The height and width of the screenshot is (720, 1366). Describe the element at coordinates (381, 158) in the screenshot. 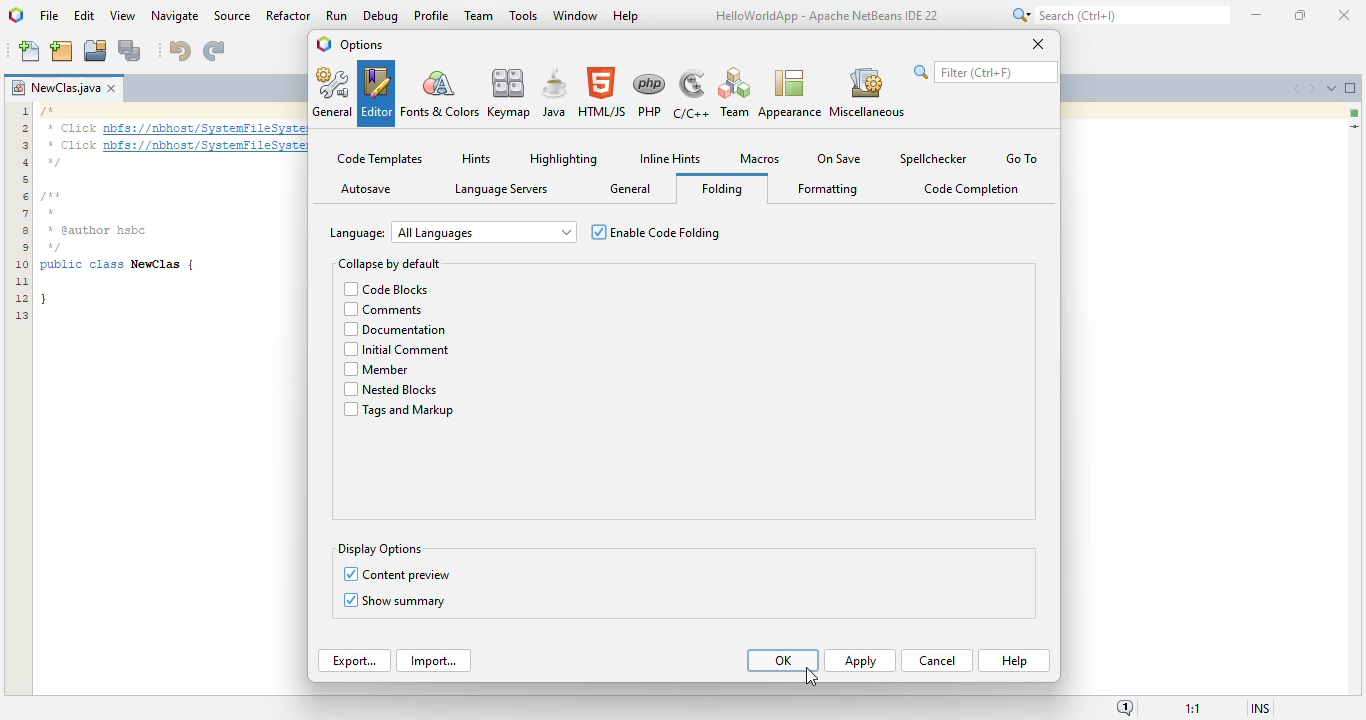

I see `code templates` at that location.